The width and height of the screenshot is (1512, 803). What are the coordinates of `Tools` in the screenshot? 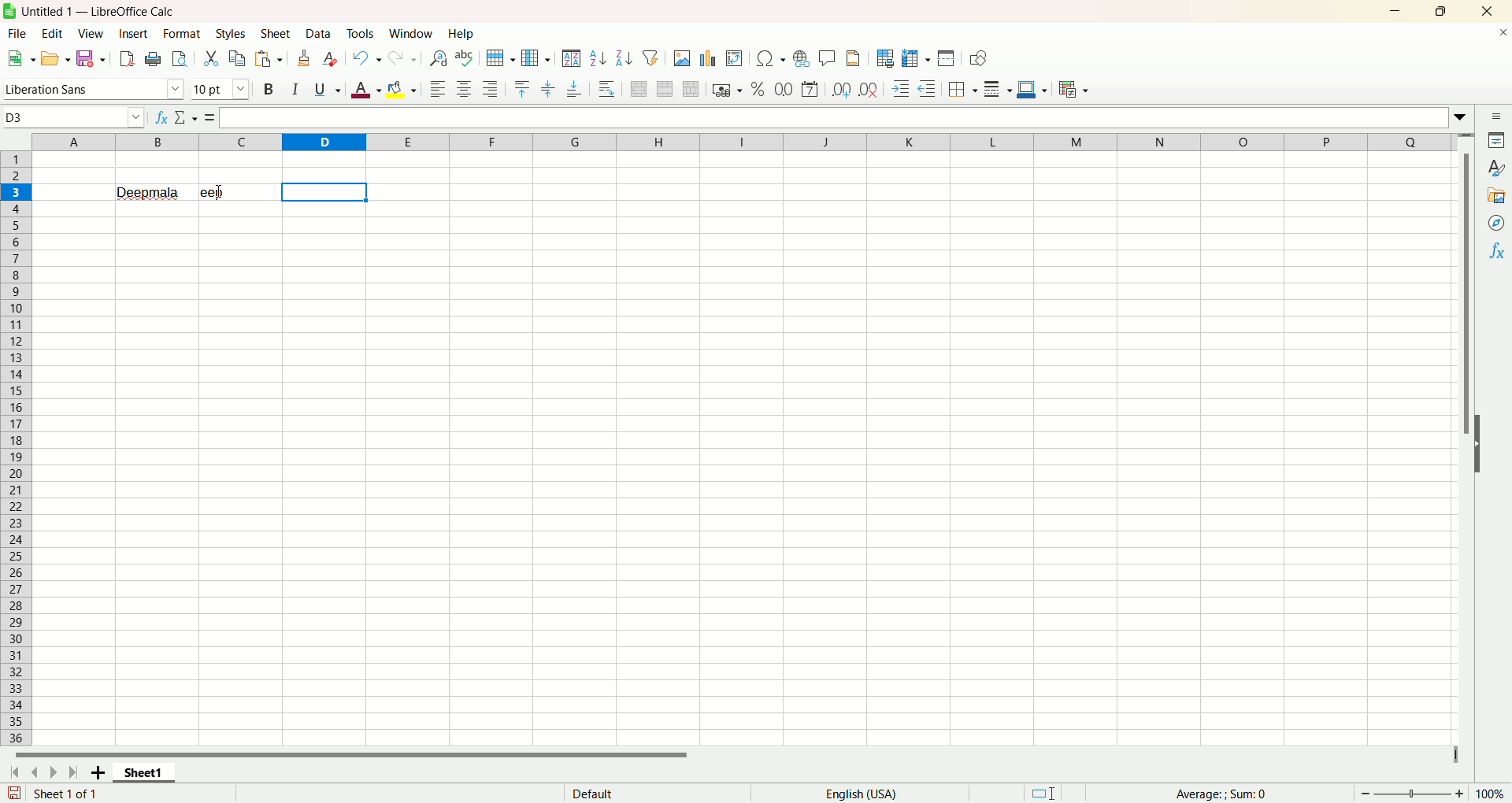 It's located at (361, 33).